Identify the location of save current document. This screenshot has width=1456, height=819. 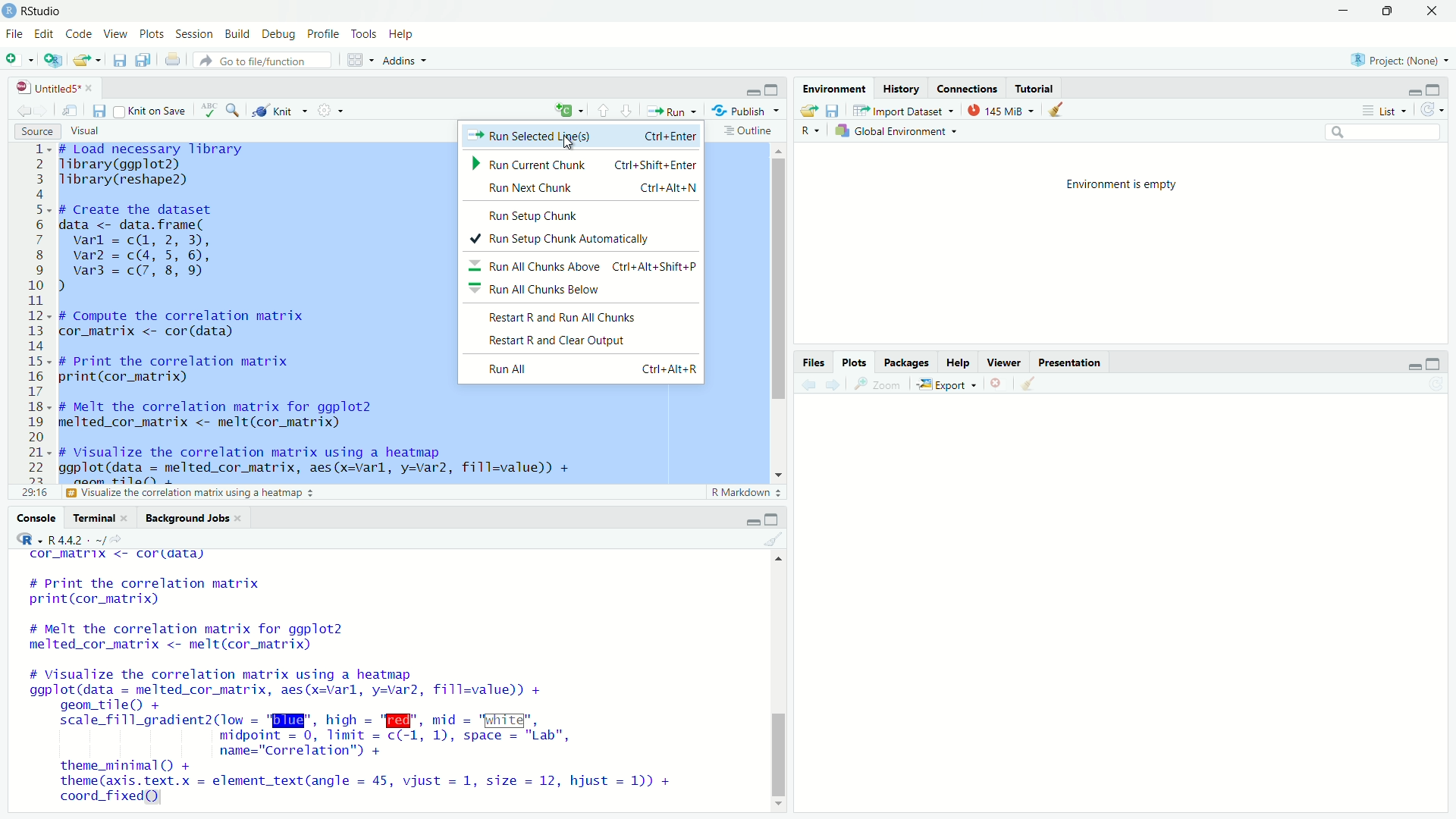
(100, 111).